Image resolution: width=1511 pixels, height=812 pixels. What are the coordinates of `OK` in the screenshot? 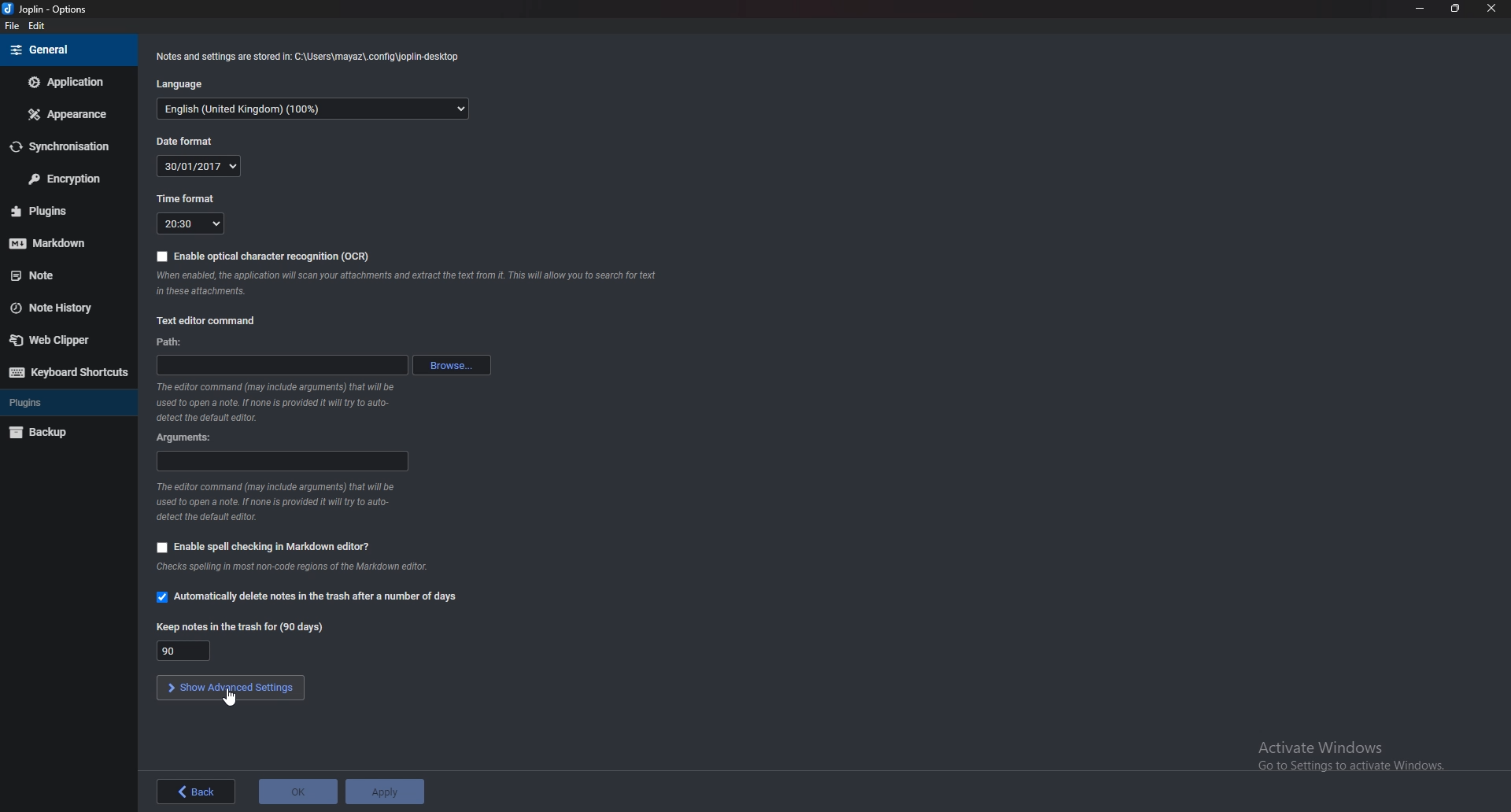 It's located at (298, 792).